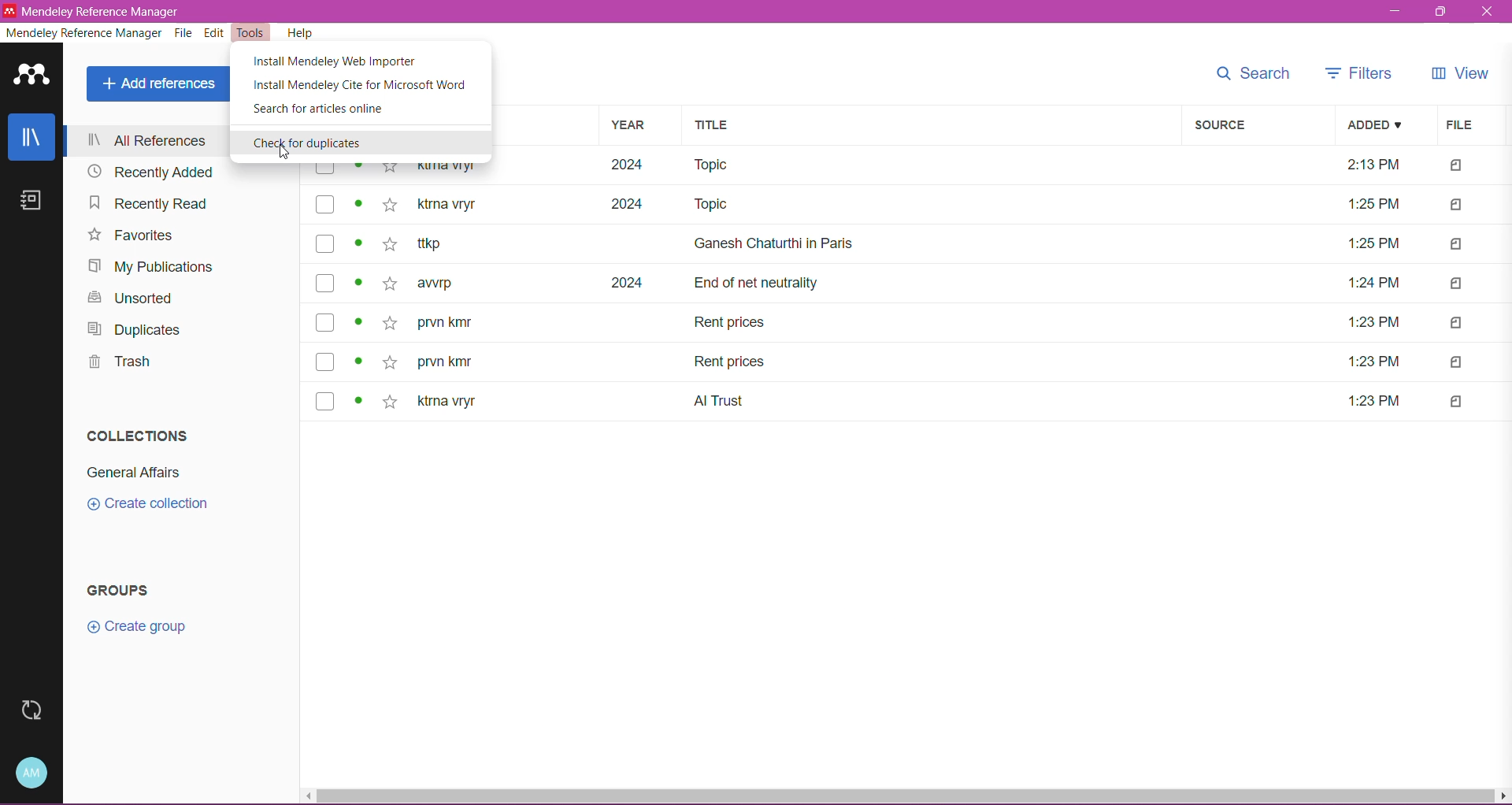  What do you see at coordinates (158, 85) in the screenshot?
I see `Add References` at bounding box center [158, 85].